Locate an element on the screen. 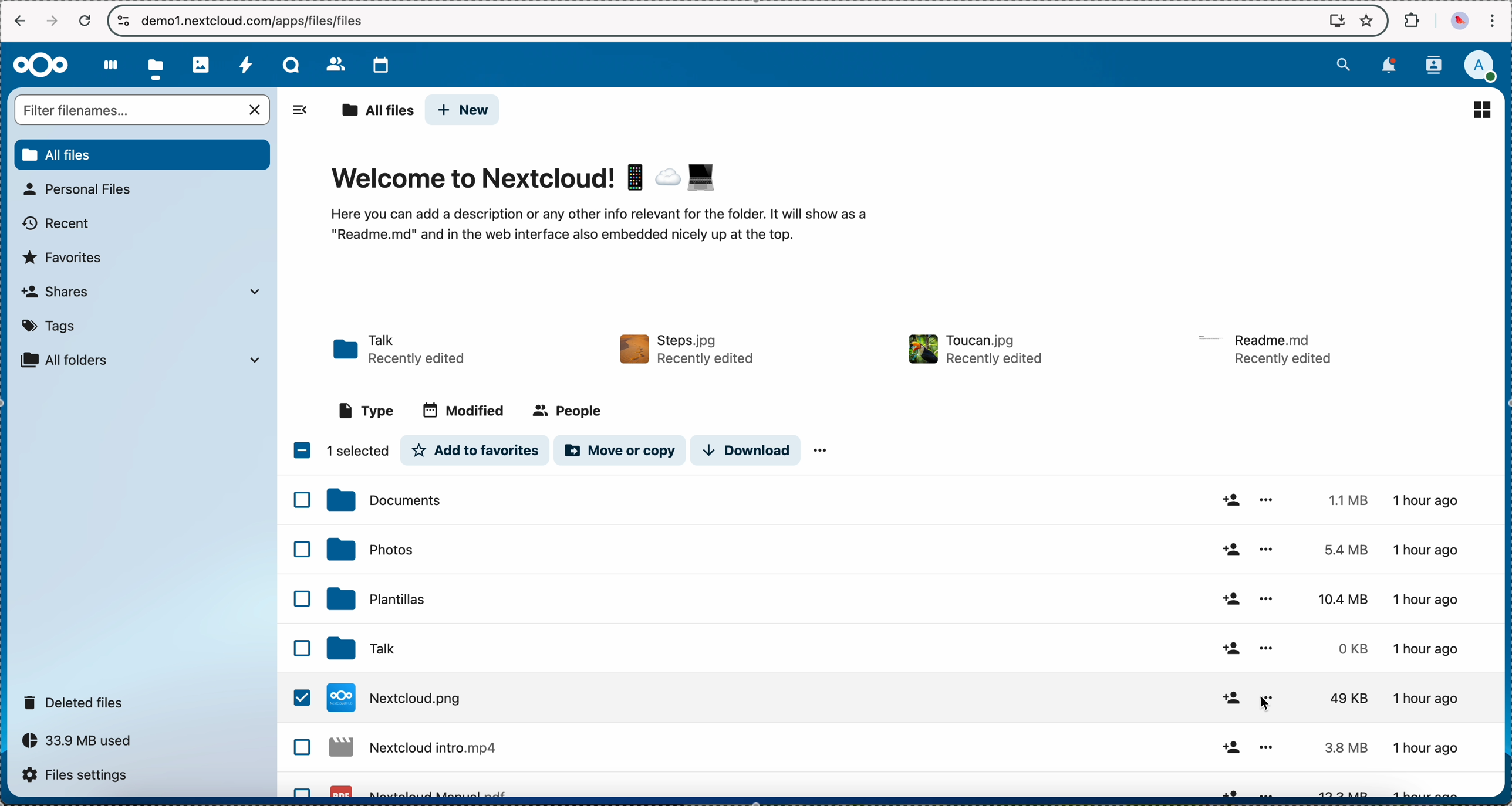  new button is located at coordinates (464, 109).